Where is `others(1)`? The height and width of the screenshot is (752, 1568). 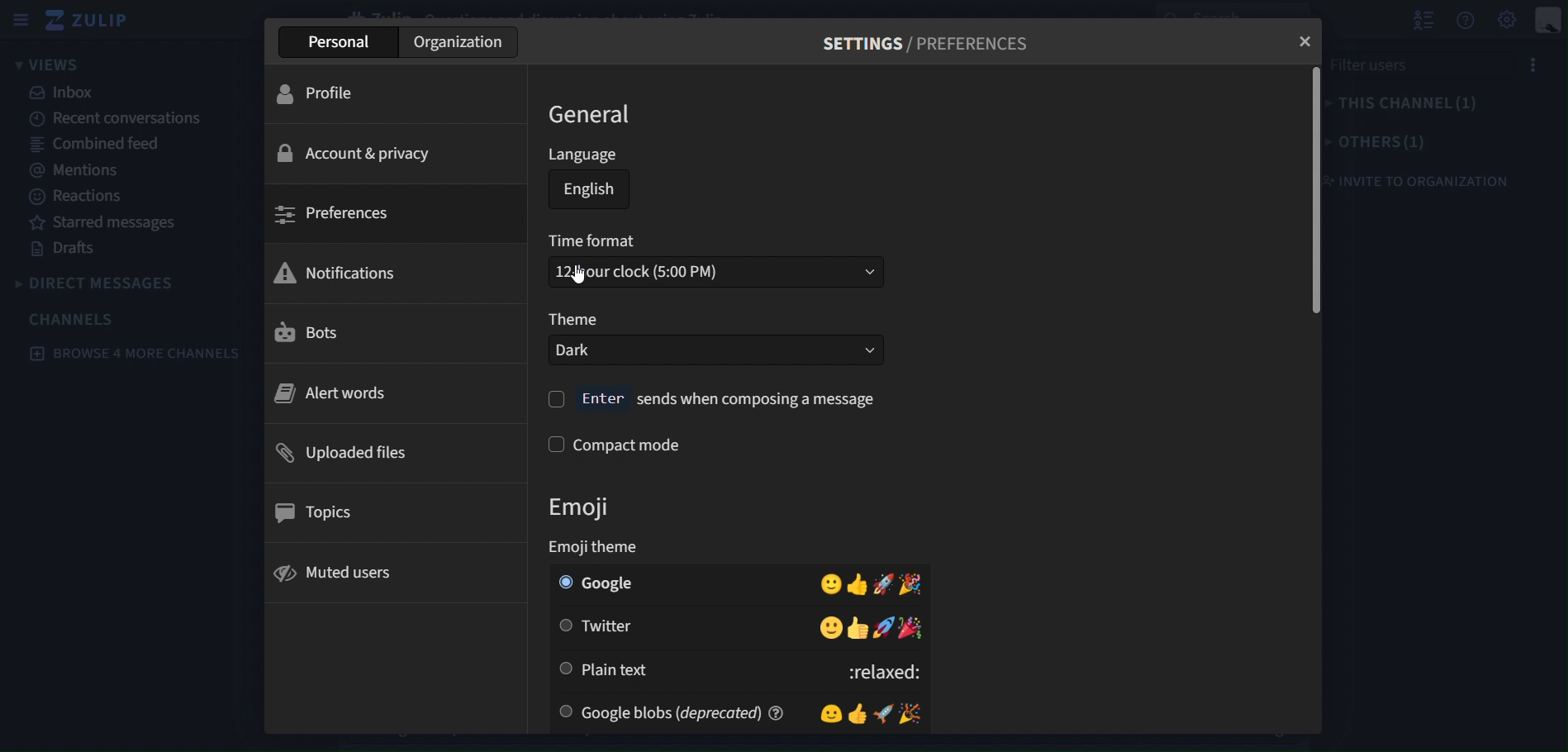 others(1) is located at coordinates (1379, 143).